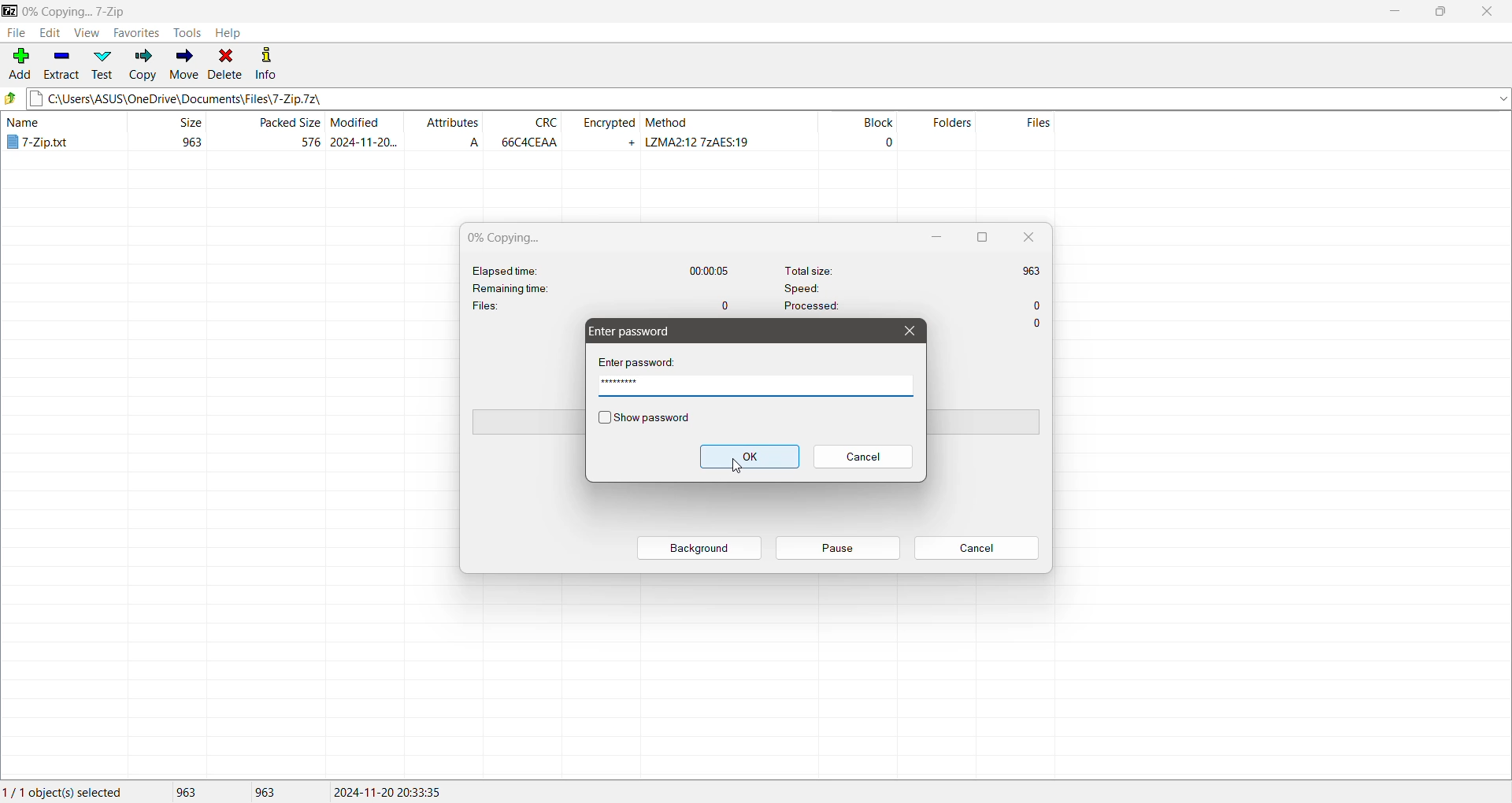  What do you see at coordinates (48, 33) in the screenshot?
I see `Edit` at bounding box center [48, 33].